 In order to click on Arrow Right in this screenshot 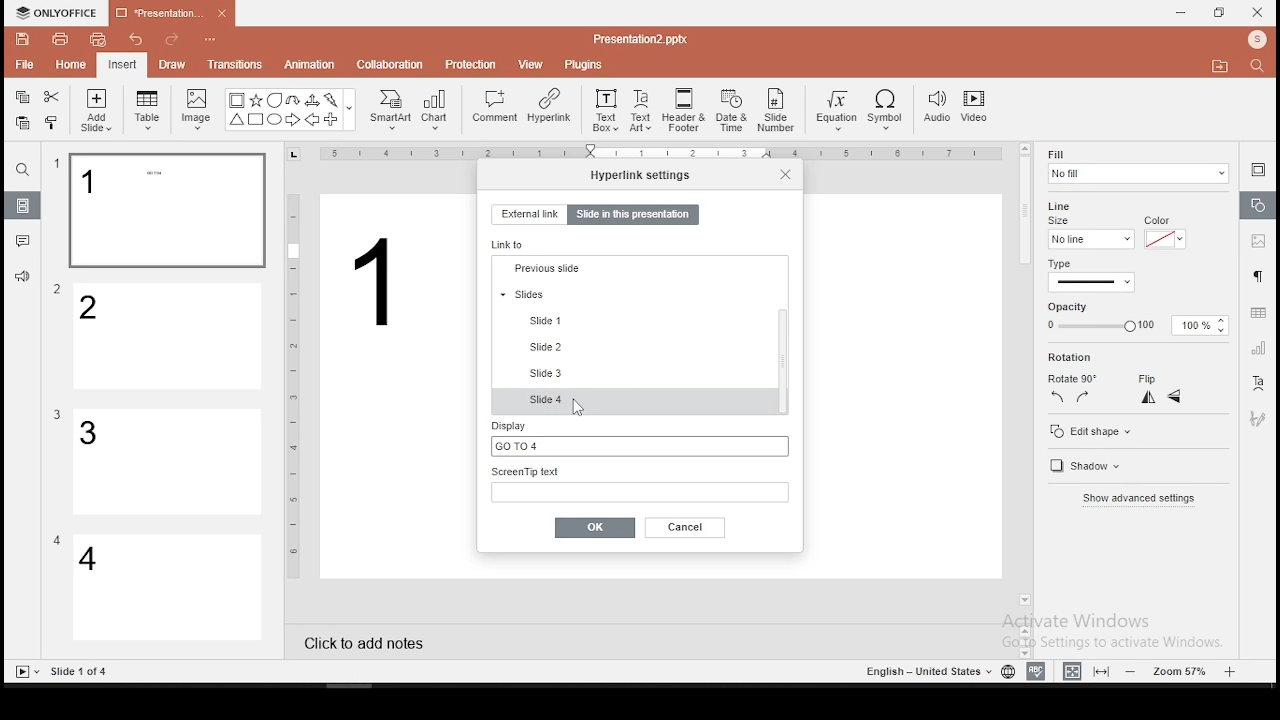, I will do `click(294, 121)`.